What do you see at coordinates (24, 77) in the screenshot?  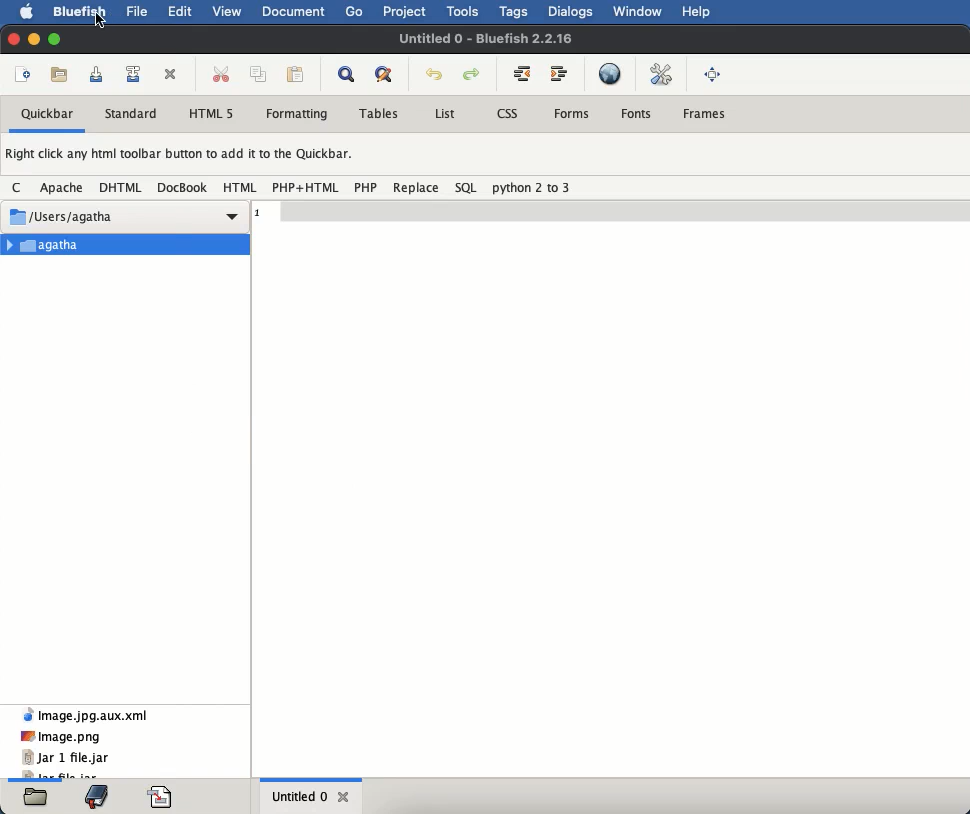 I see `new file` at bounding box center [24, 77].